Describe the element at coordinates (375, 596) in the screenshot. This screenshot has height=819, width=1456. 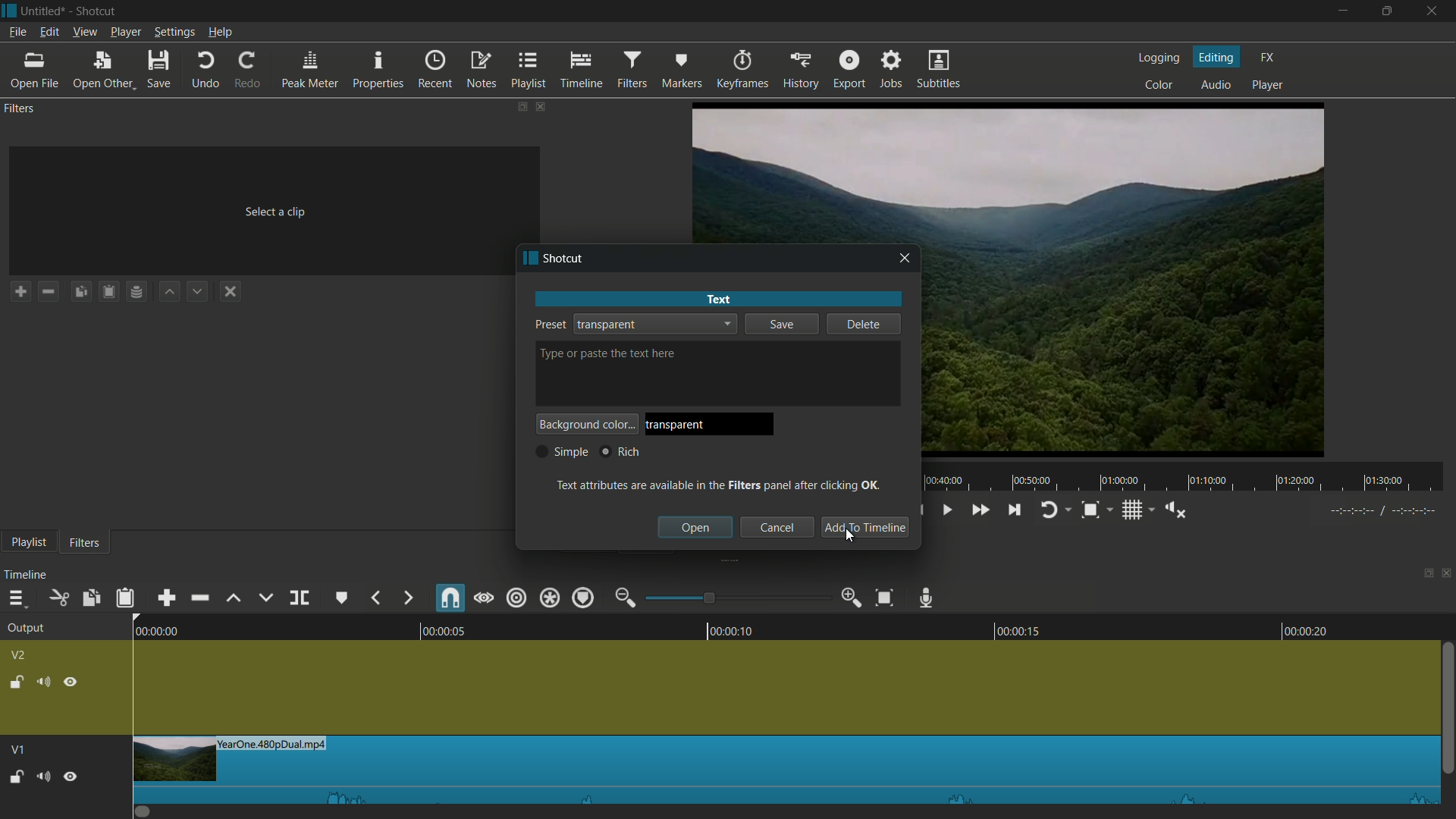
I see `backward` at that location.